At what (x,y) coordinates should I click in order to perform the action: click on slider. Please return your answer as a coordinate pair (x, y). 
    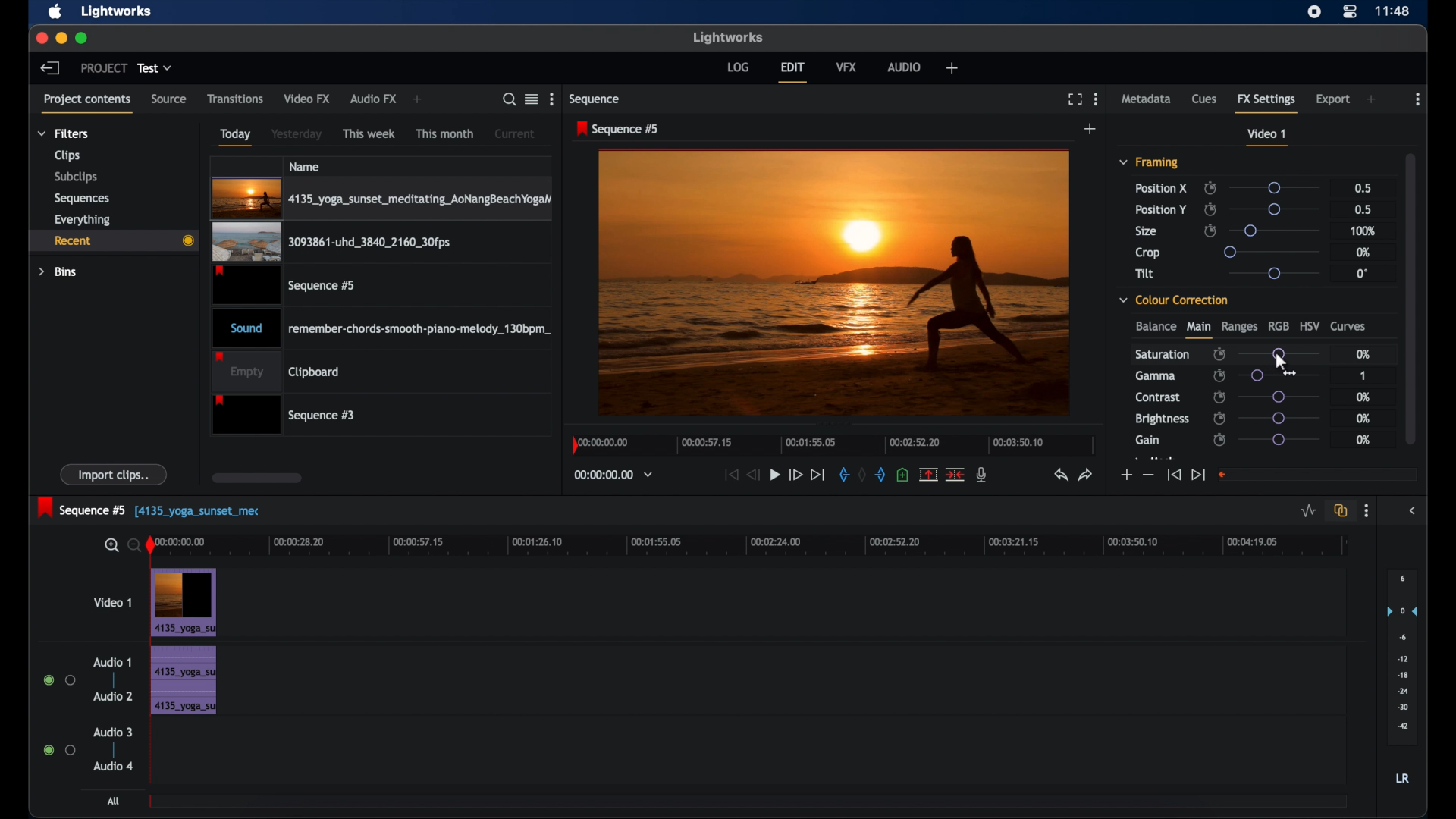
    Looking at the image, I should click on (1279, 353).